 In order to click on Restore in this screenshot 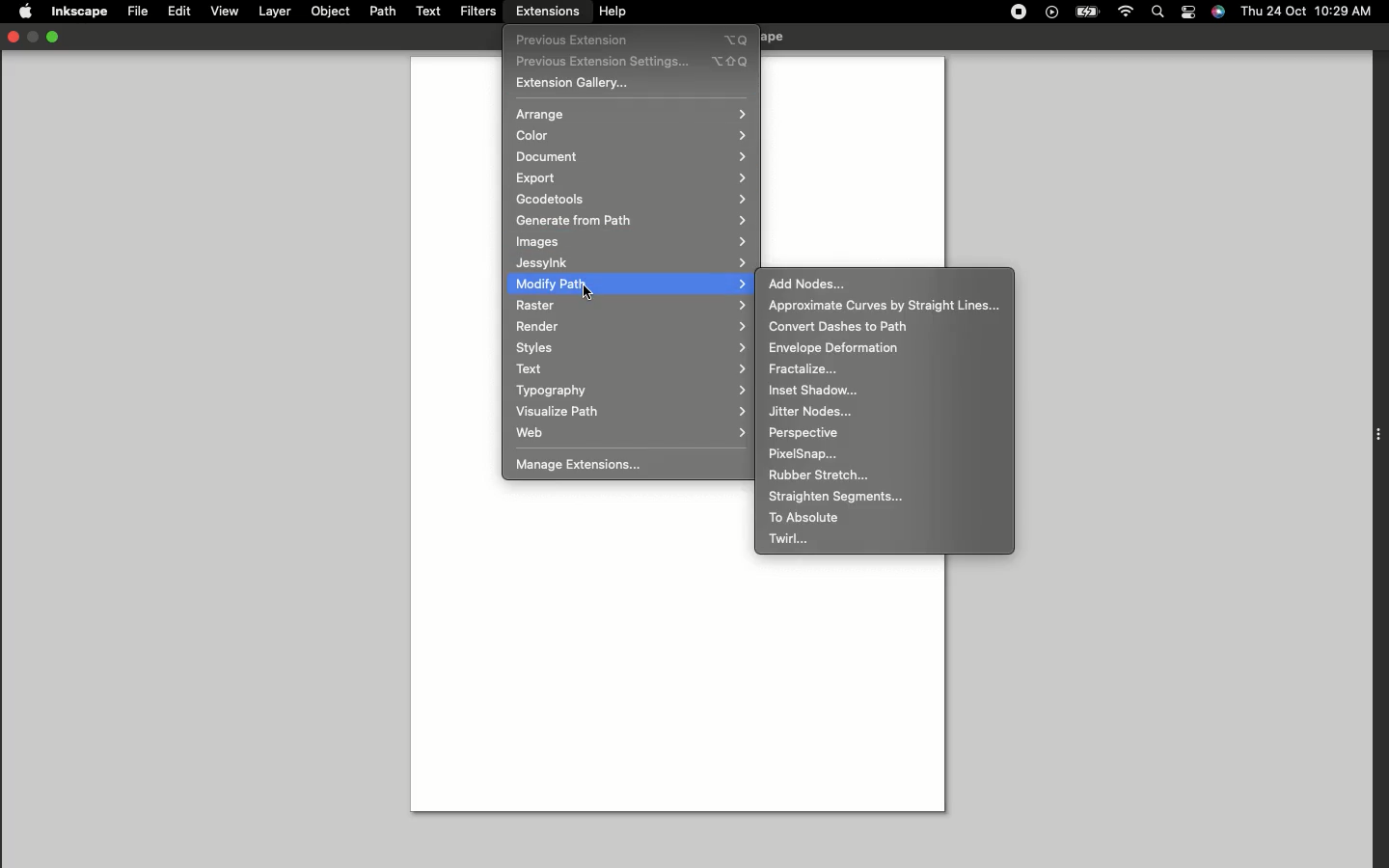, I will do `click(34, 38)`.